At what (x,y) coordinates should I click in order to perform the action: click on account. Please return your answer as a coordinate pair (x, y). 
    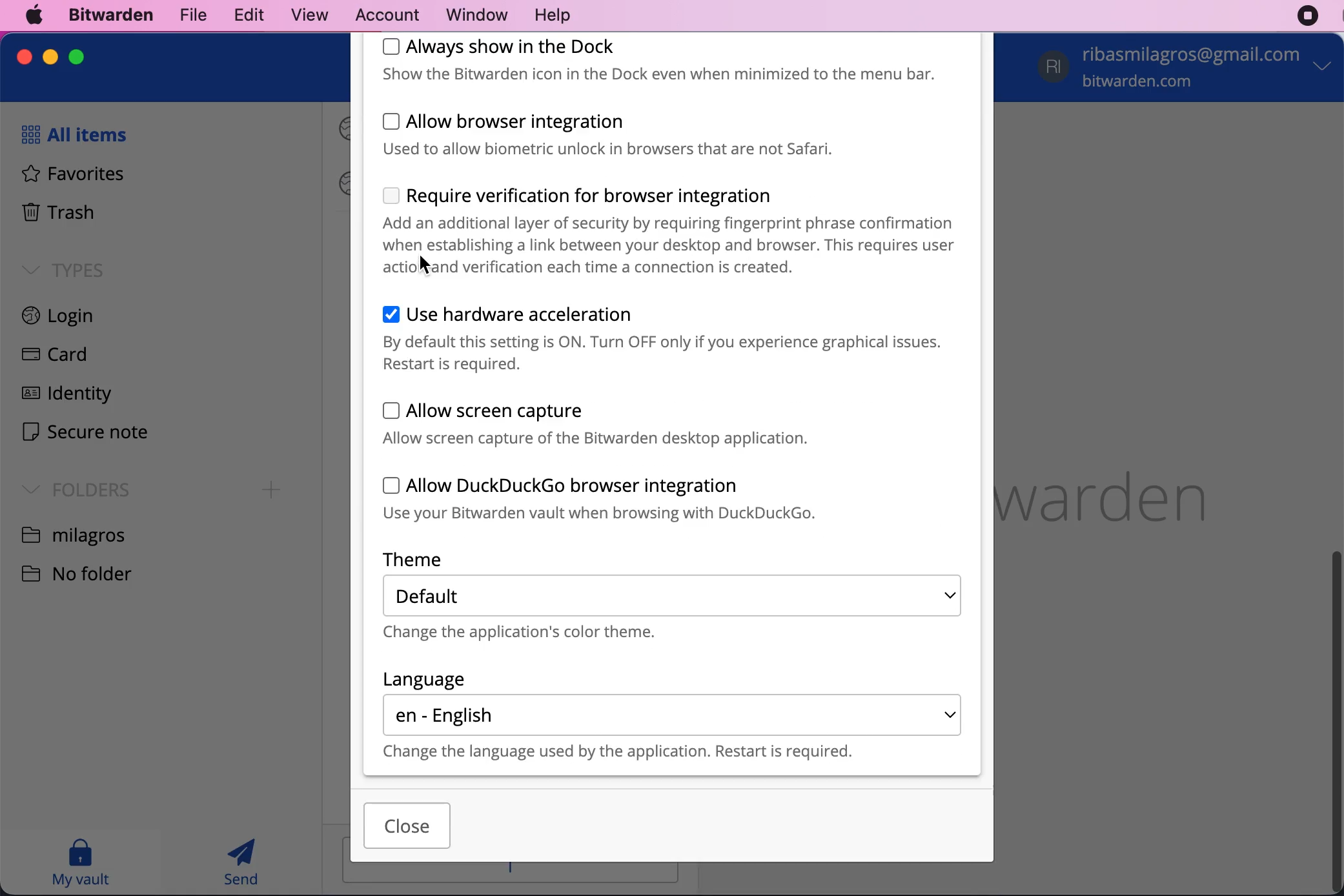
    Looking at the image, I should click on (382, 14).